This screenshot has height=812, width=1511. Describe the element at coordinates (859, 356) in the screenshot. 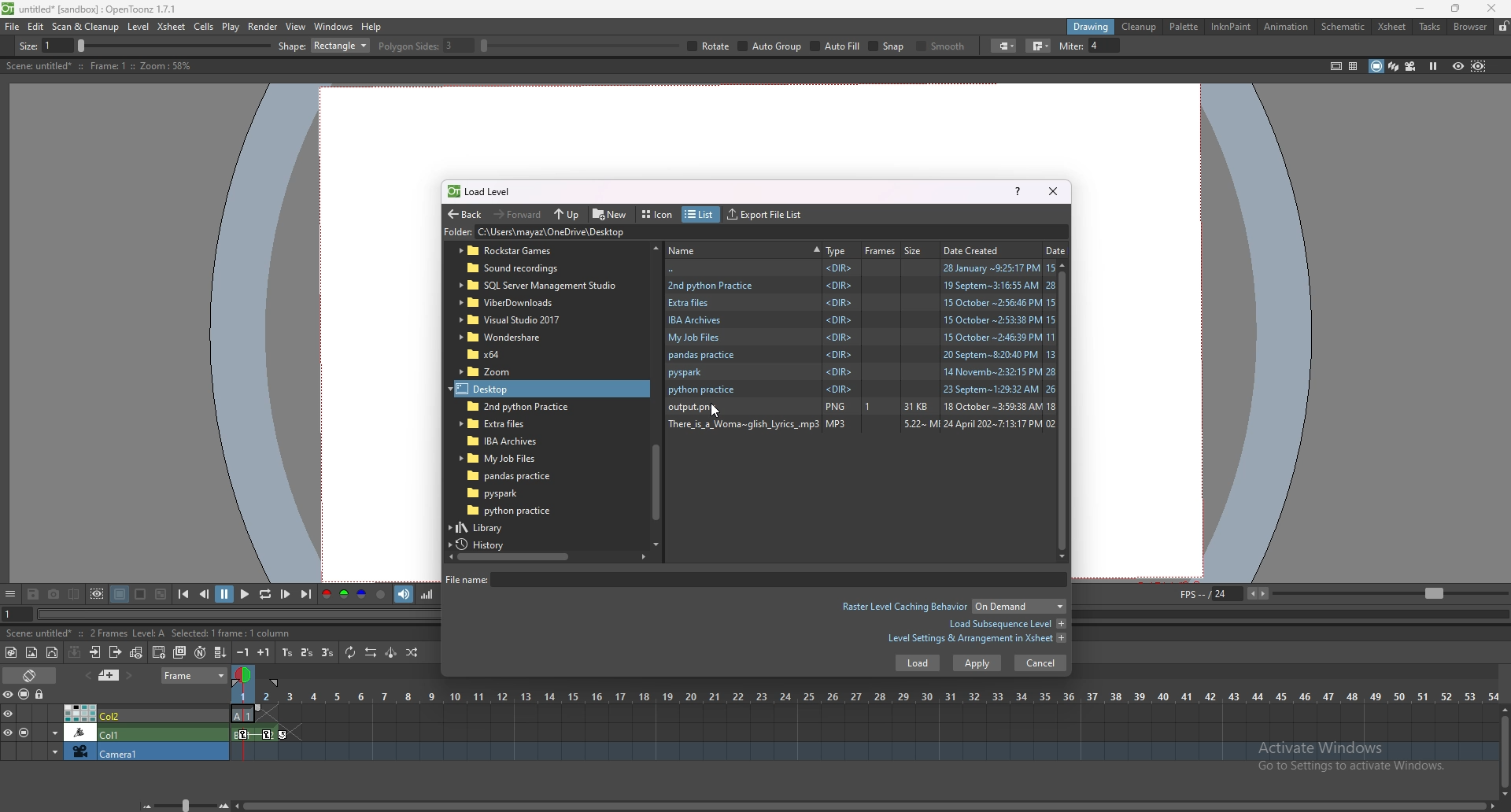

I see `folder` at that location.